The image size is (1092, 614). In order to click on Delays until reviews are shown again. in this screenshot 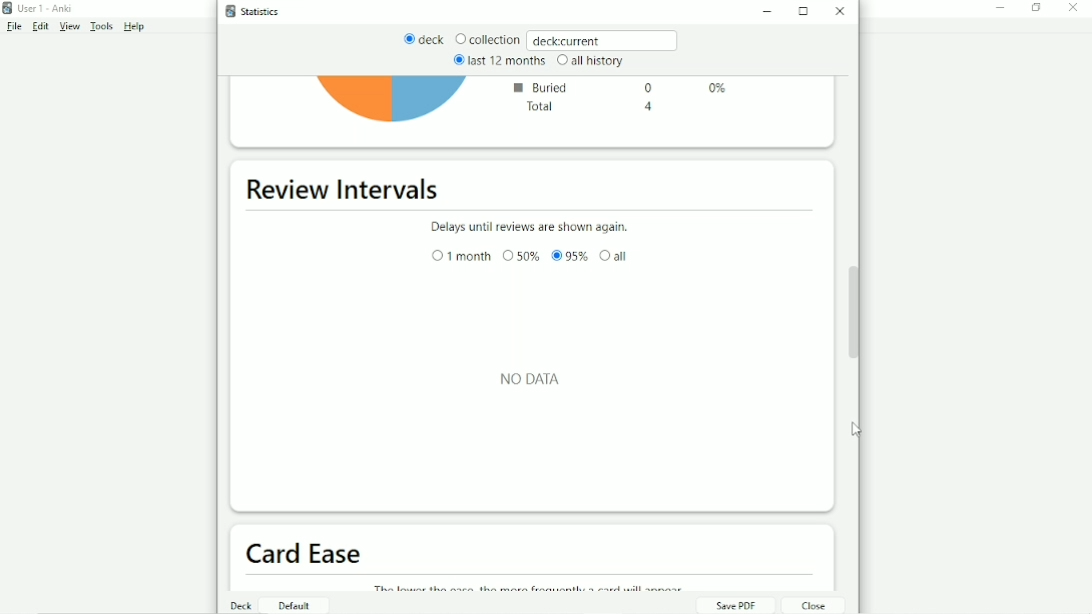, I will do `click(528, 225)`.